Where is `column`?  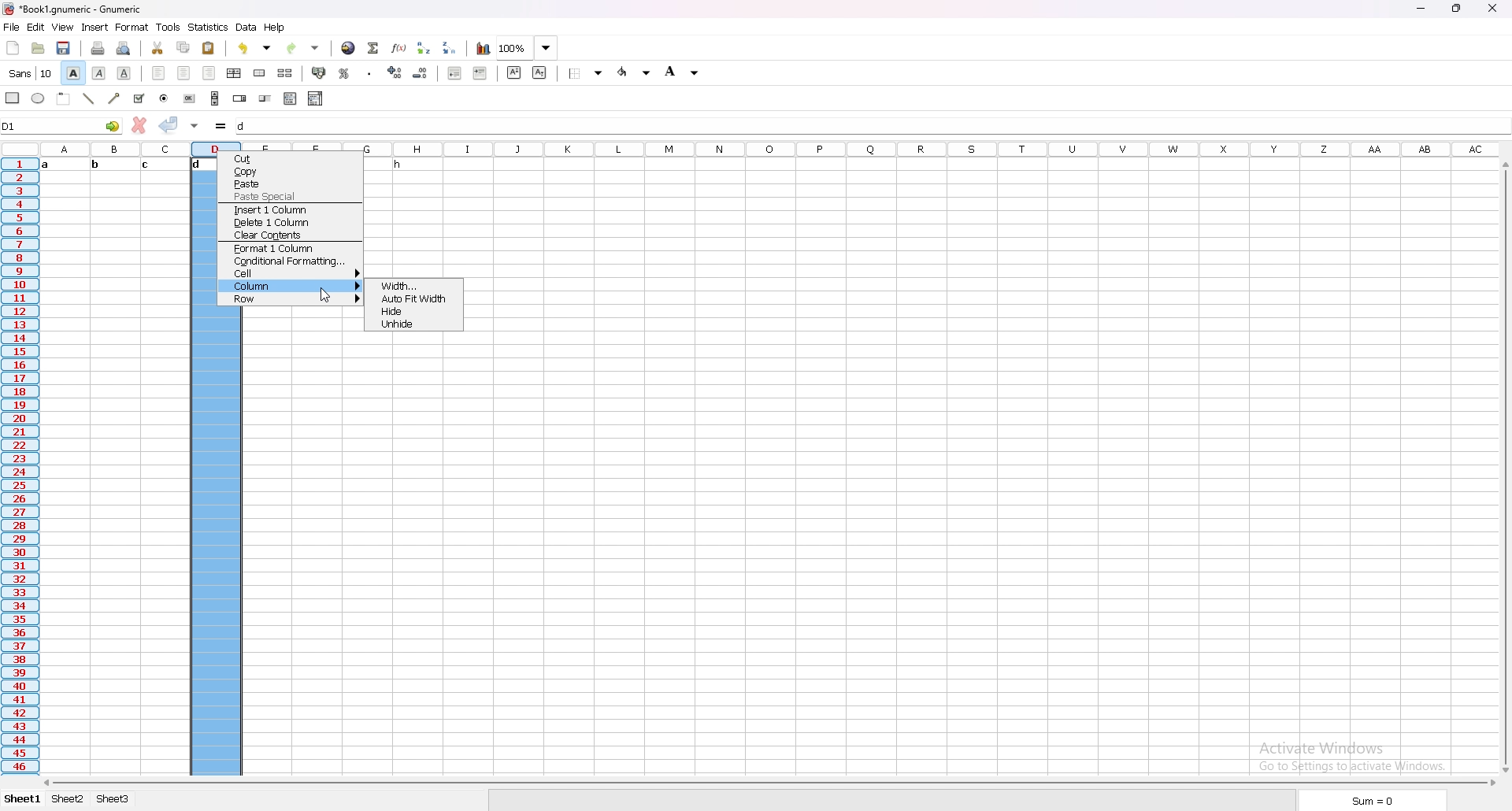 column is located at coordinates (289, 286).